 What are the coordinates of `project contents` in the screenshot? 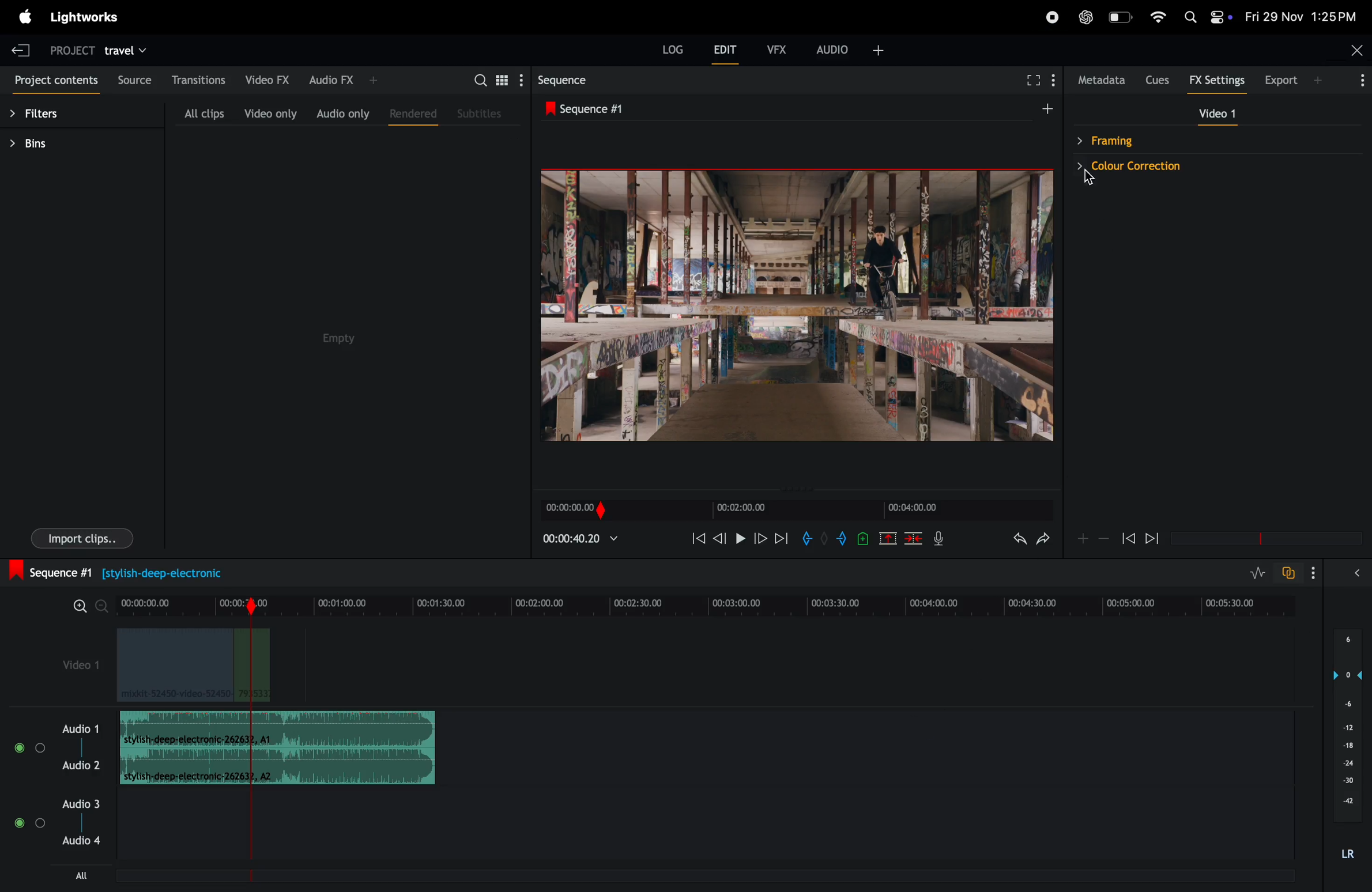 It's located at (55, 82).